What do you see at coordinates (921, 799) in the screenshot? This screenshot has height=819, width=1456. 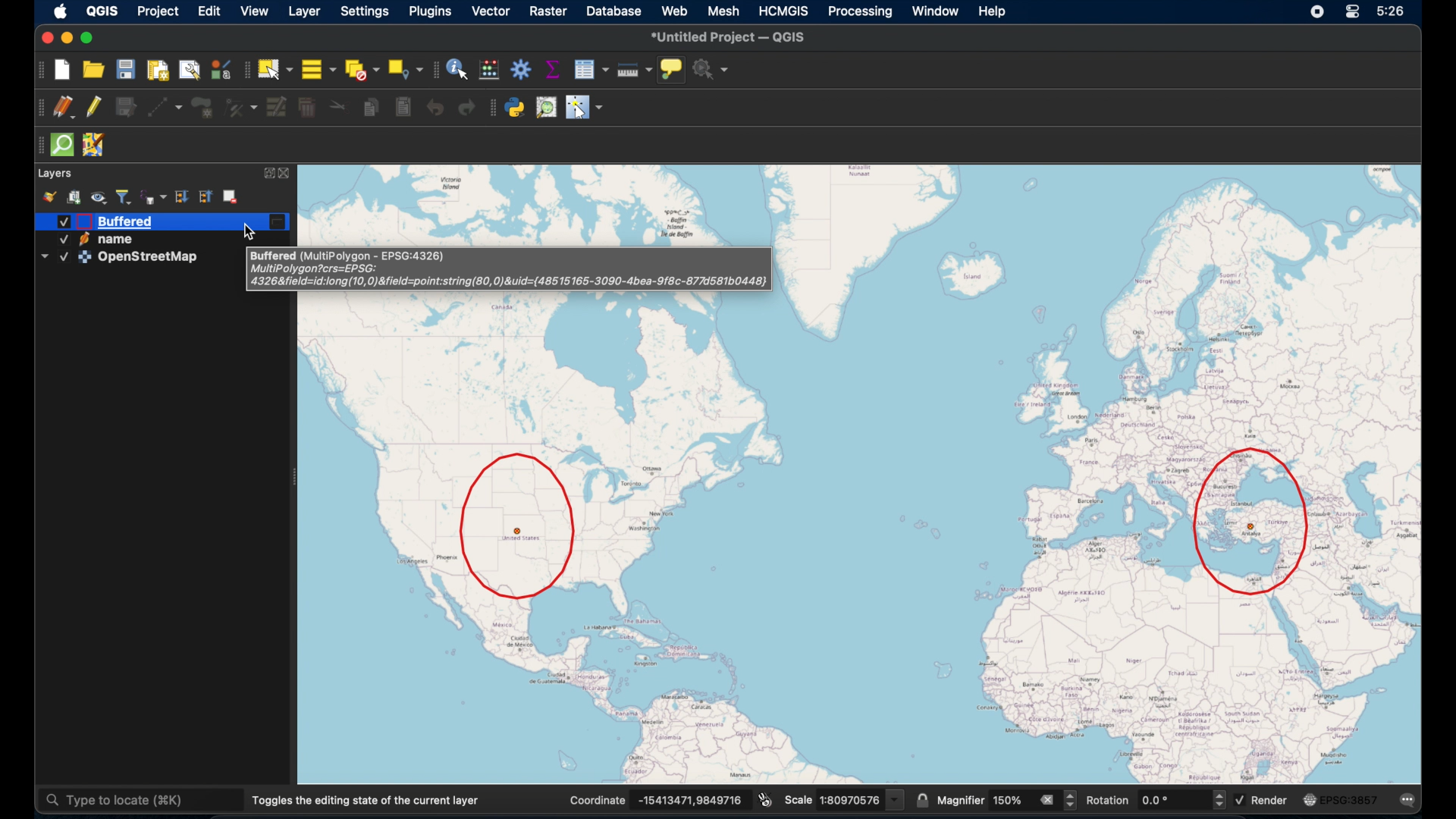 I see `lock scale` at bounding box center [921, 799].